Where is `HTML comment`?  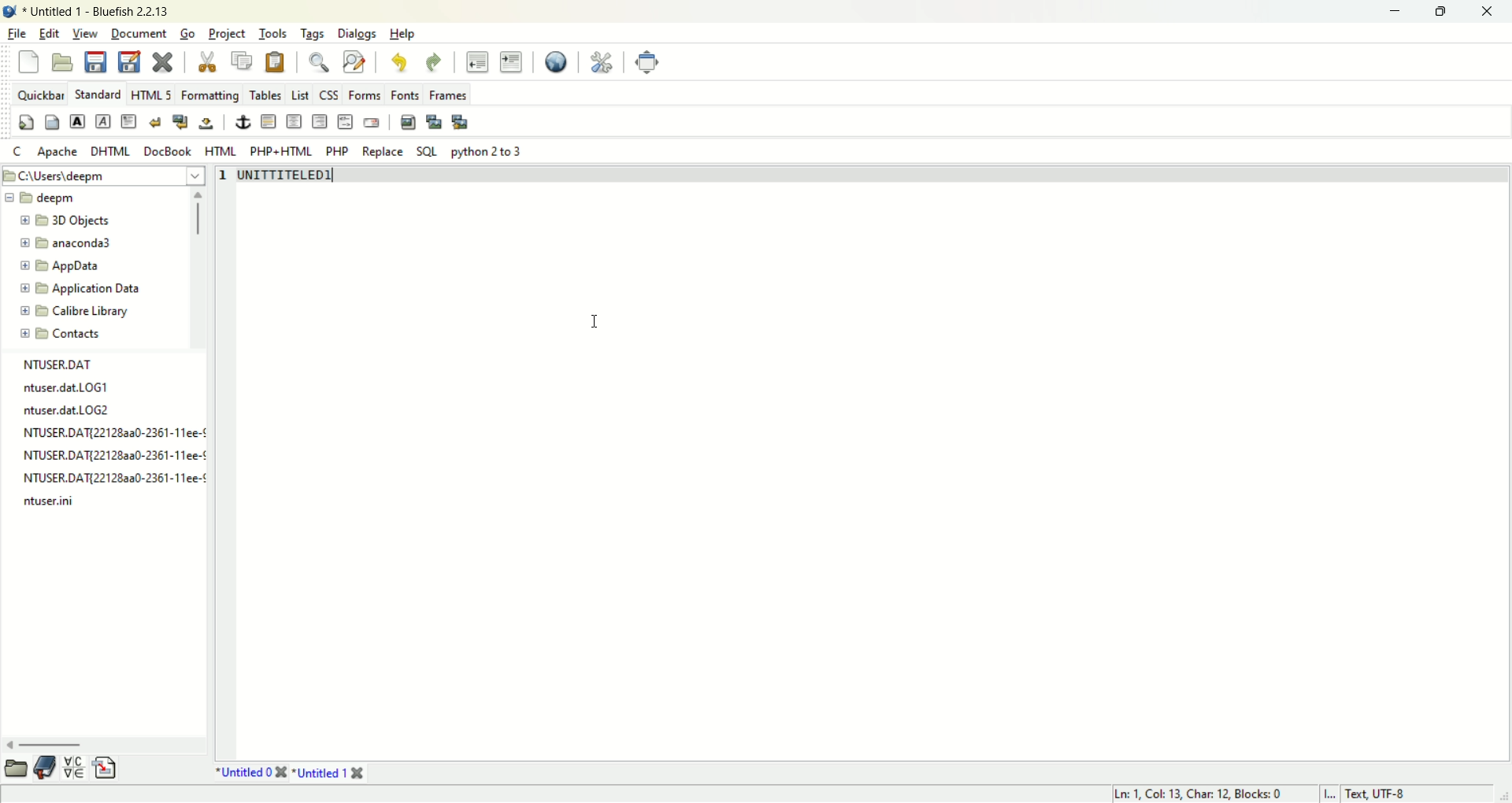 HTML comment is located at coordinates (343, 121).